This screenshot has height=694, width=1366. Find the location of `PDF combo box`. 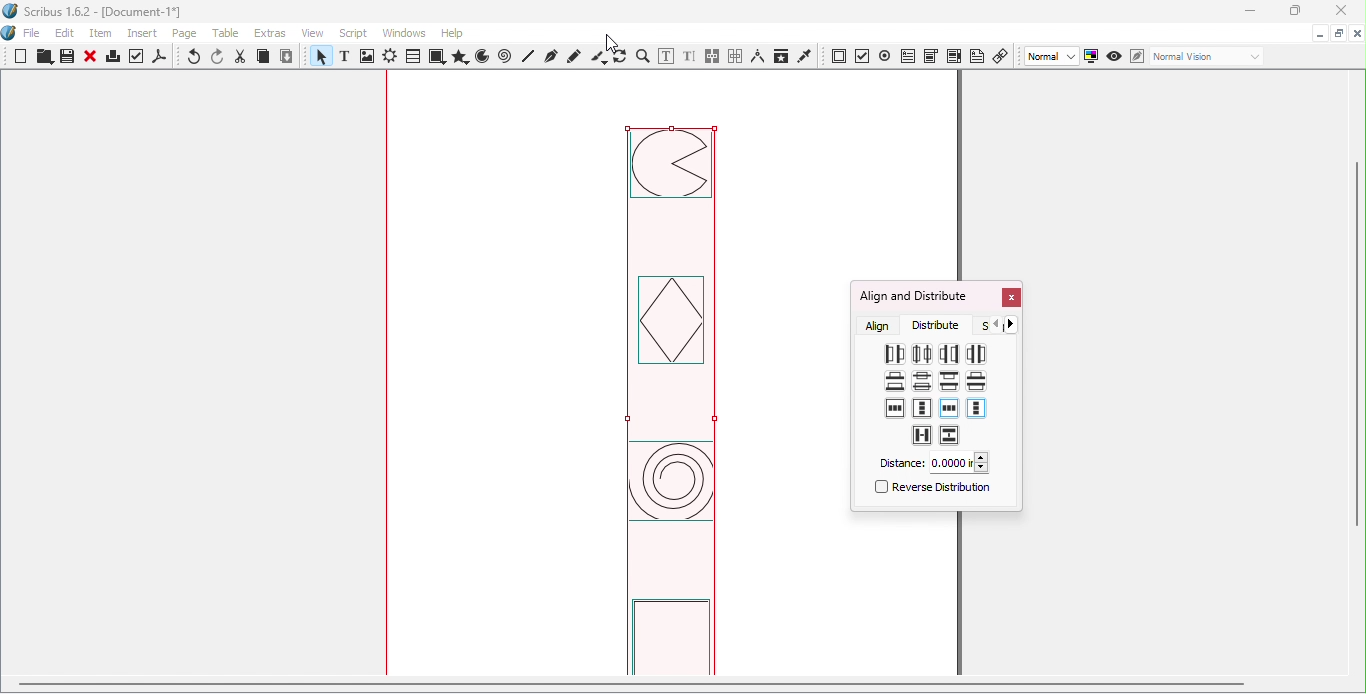

PDF combo box is located at coordinates (930, 56).